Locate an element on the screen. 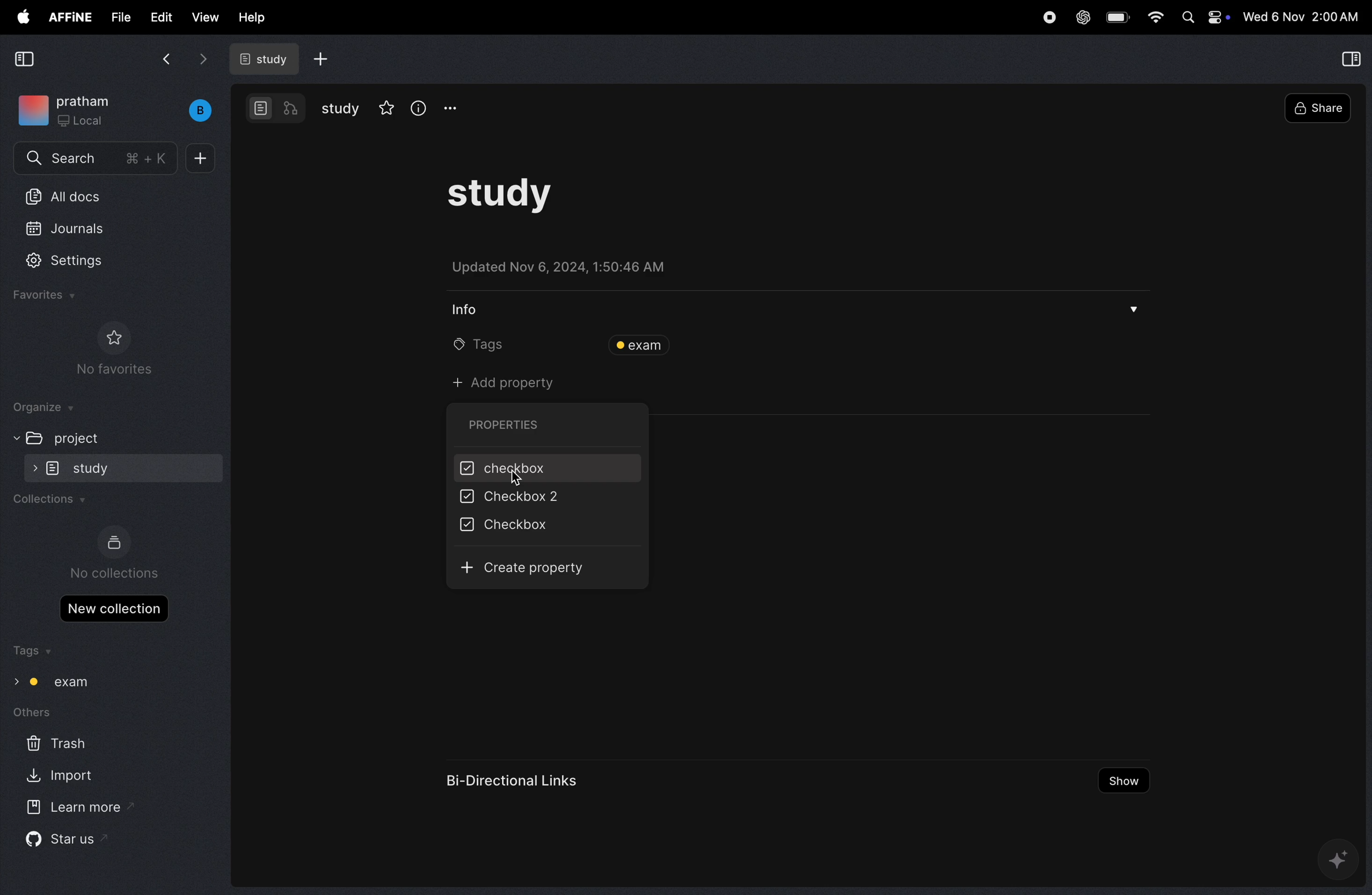  chatgpt is located at coordinates (1080, 18).